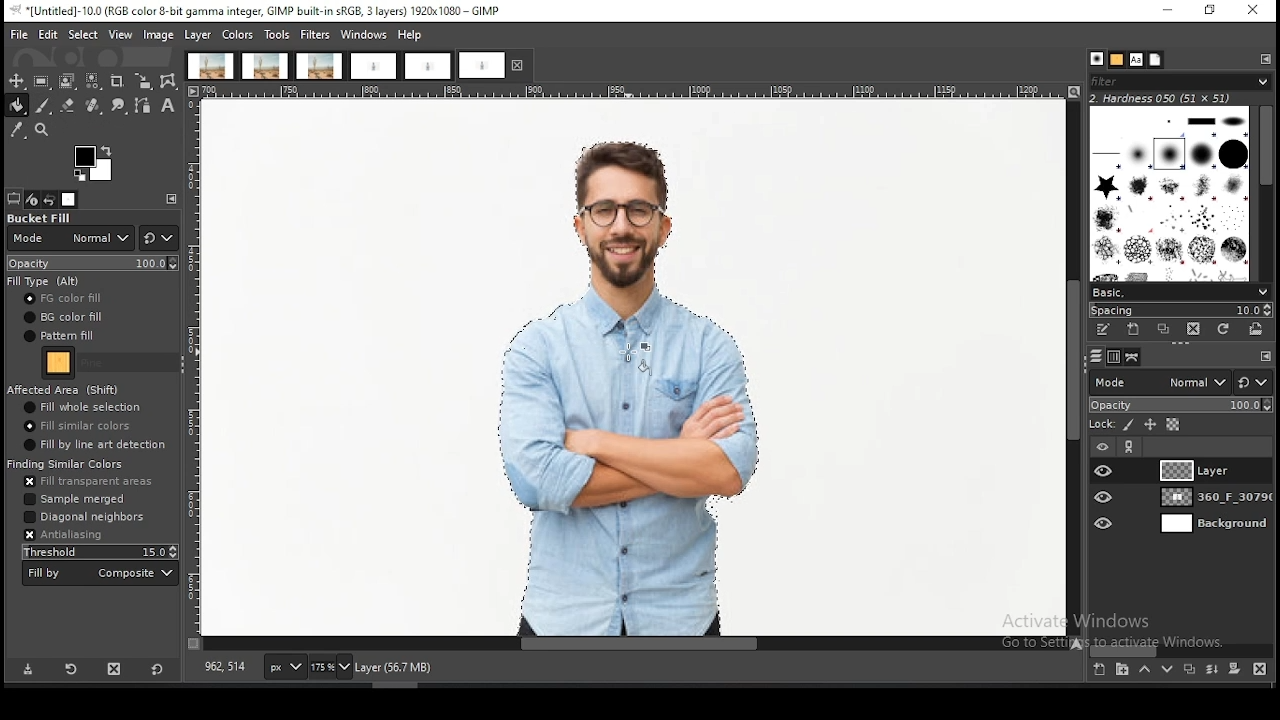 The height and width of the screenshot is (720, 1280). Describe the element at coordinates (428, 67) in the screenshot. I see `project tab` at that location.